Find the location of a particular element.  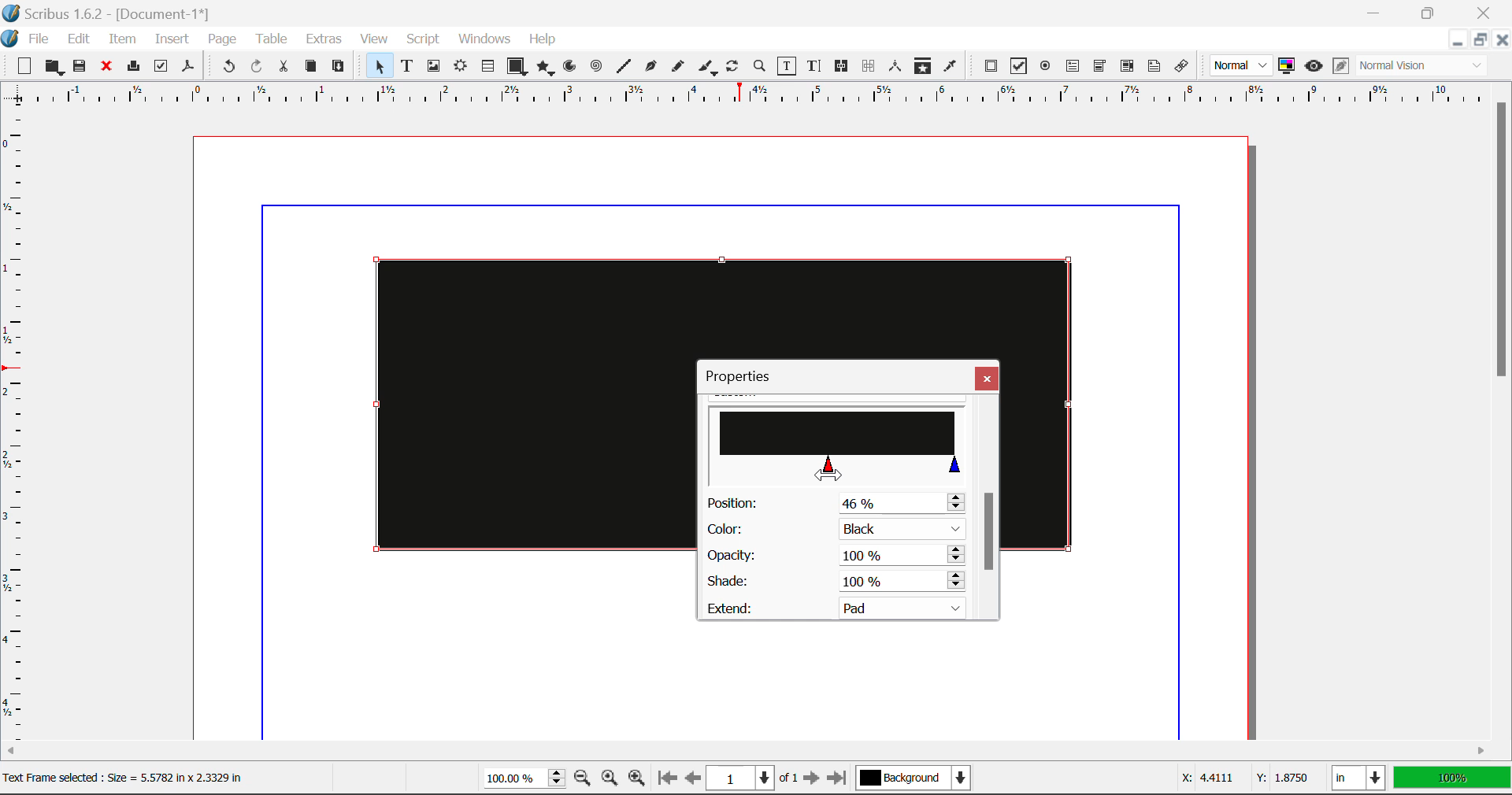

Zoom is located at coordinates (760, 65).